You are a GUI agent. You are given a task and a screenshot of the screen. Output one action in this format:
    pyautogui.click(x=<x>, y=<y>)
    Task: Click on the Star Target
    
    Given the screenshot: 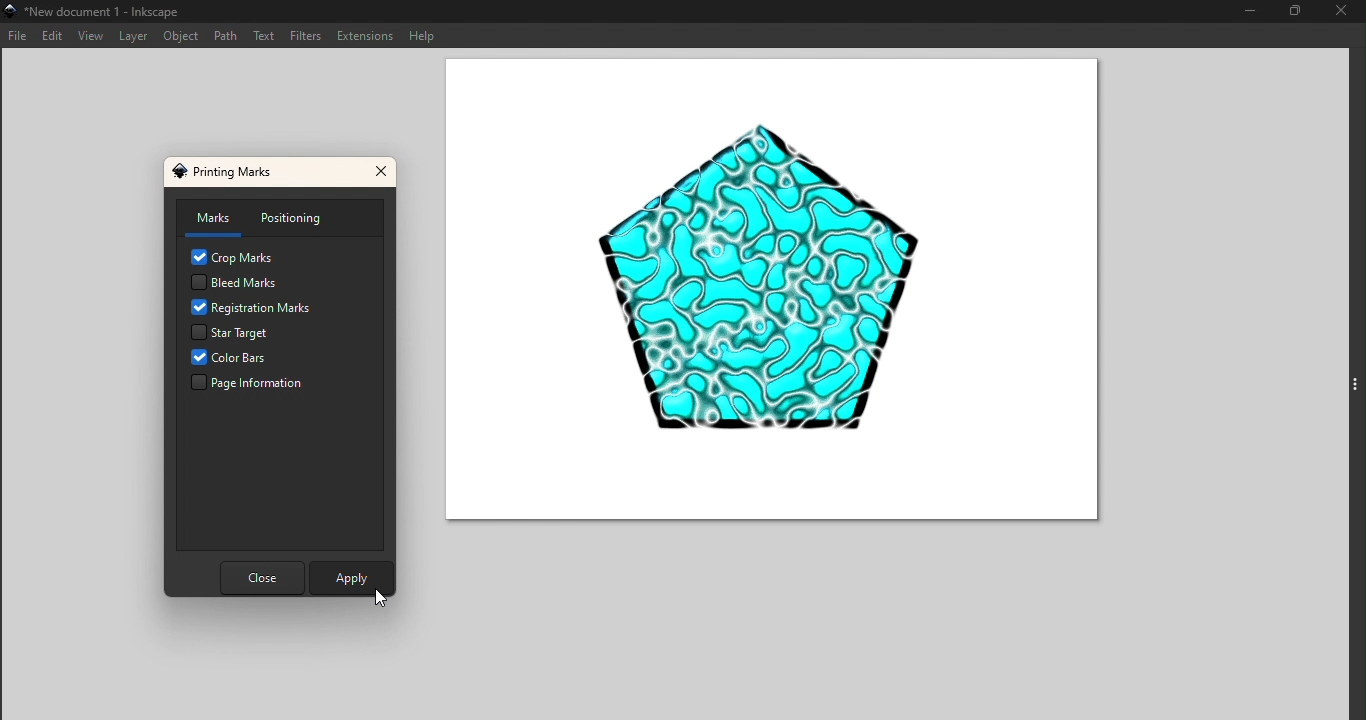 What is the action you would take?
    pyautogui.click(x=258, y=333)
    